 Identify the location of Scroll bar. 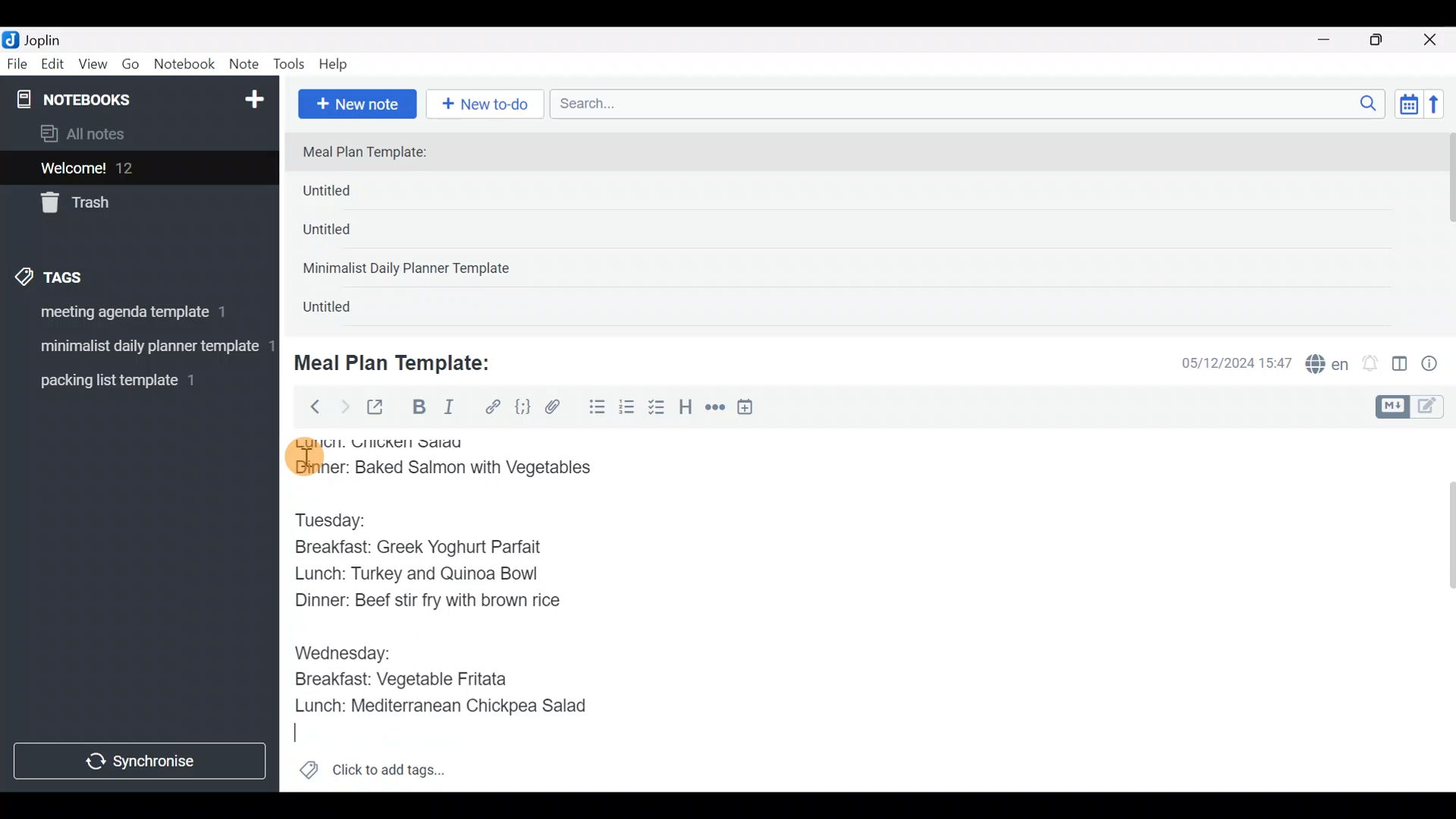
(1440, 610).